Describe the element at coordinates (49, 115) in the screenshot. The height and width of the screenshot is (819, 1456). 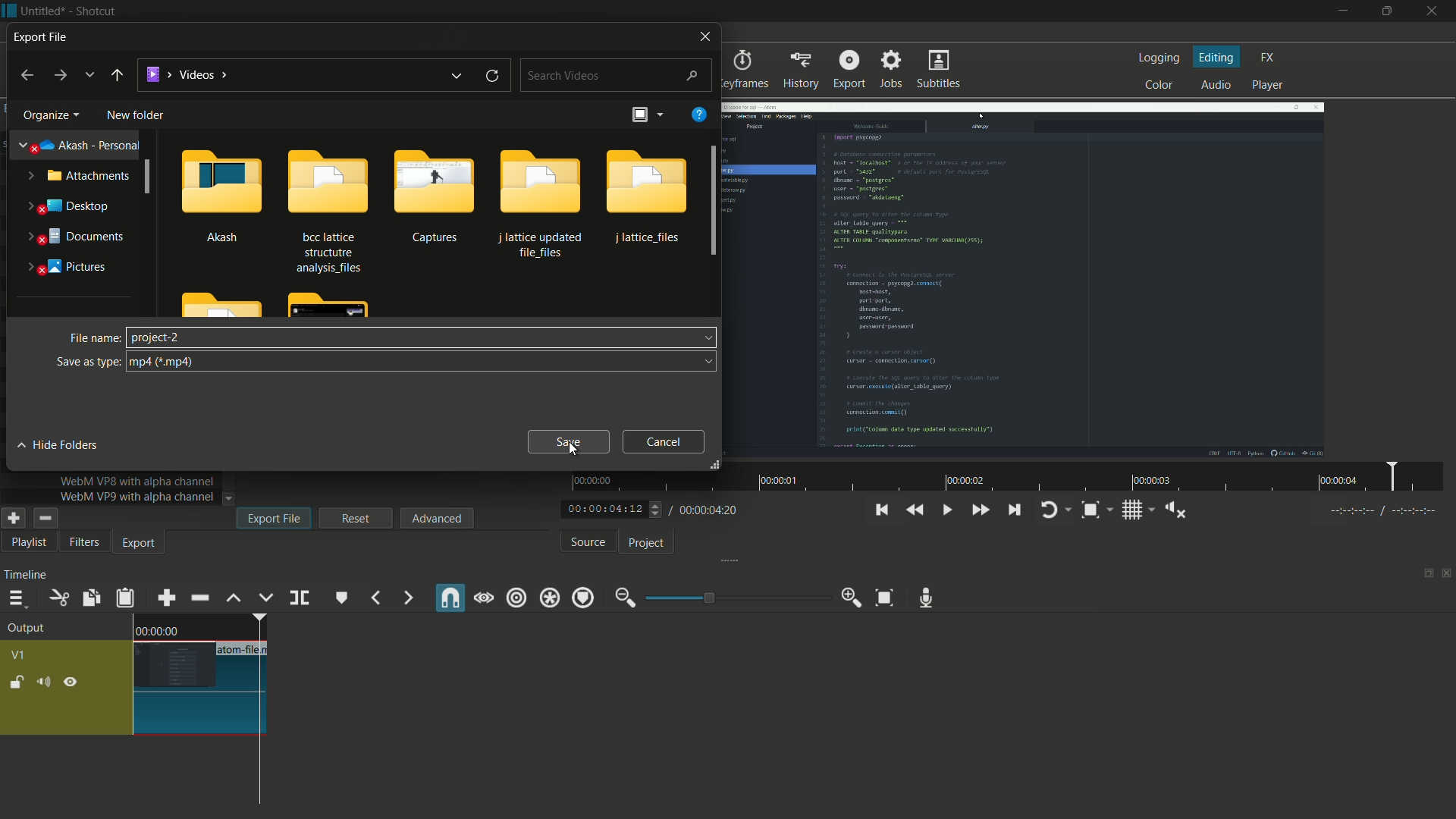
I see `organize` at that location.